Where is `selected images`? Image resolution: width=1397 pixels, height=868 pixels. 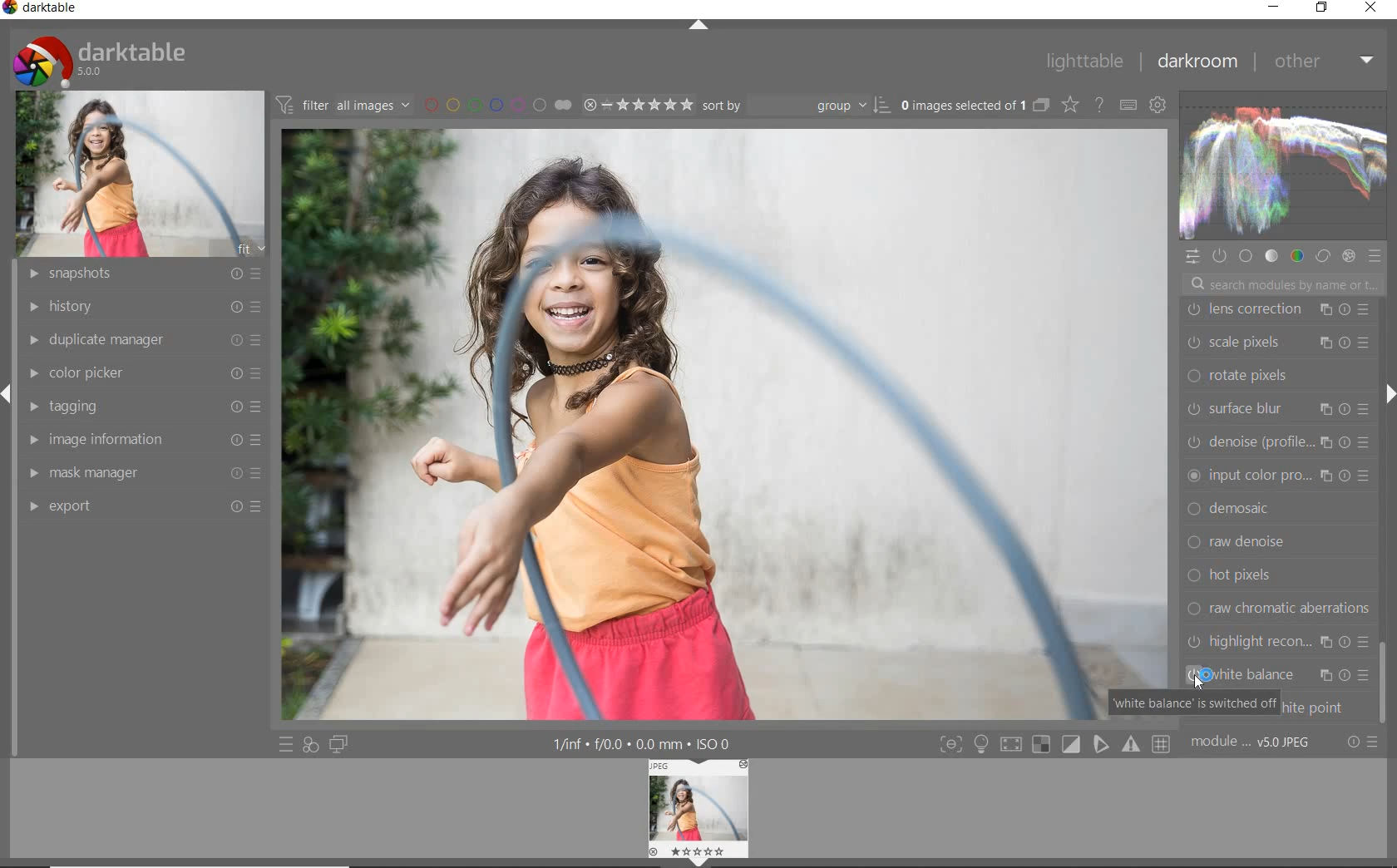
selected images is located at coordinates (961, 105).